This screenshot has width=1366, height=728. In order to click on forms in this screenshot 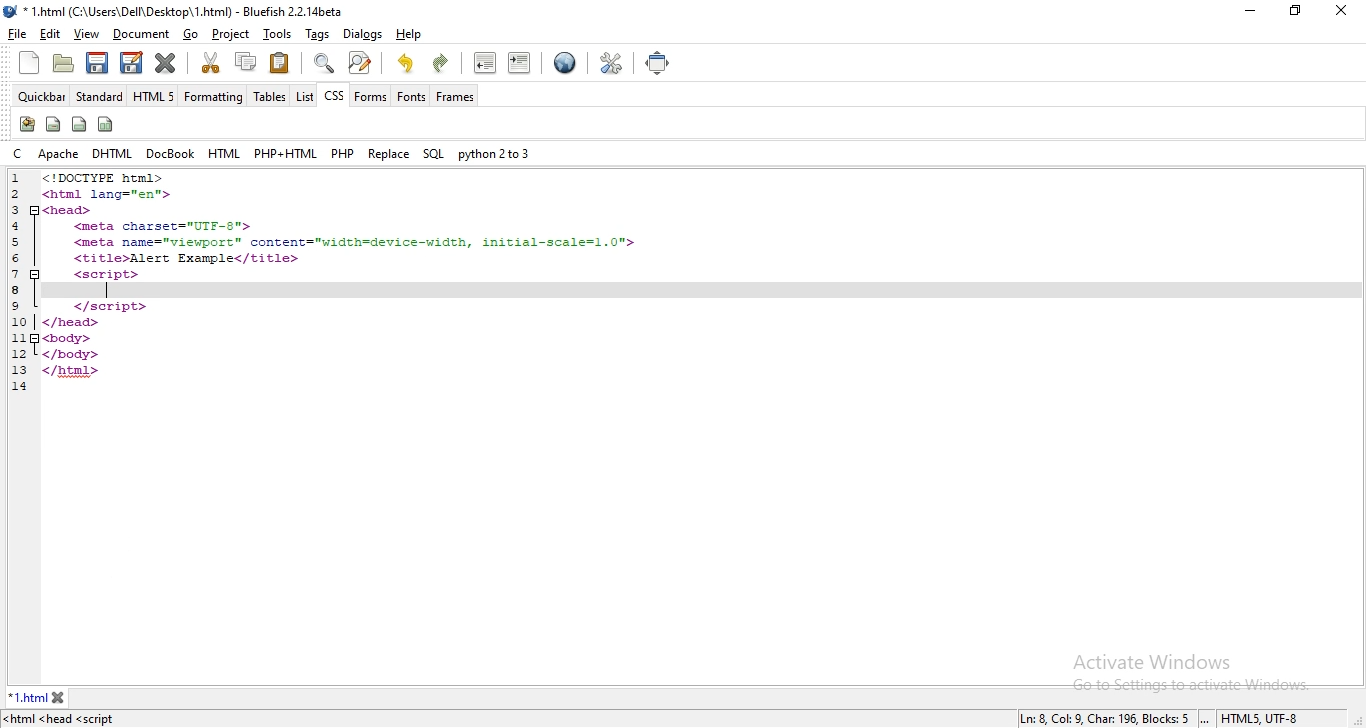, I will do `click(370, 95)`.